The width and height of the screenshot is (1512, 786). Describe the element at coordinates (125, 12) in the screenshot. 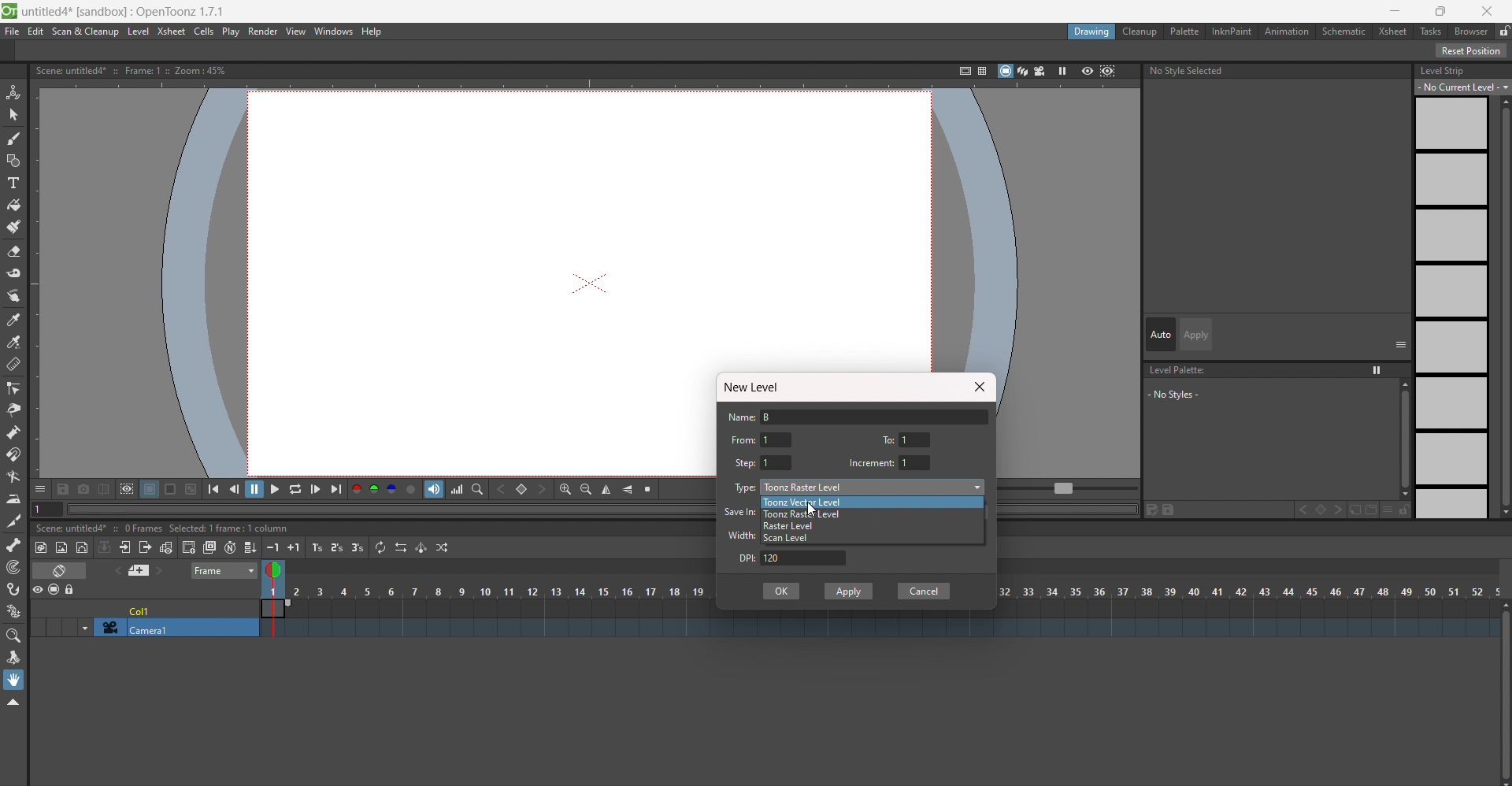

I see `file name app name and version` at that location.